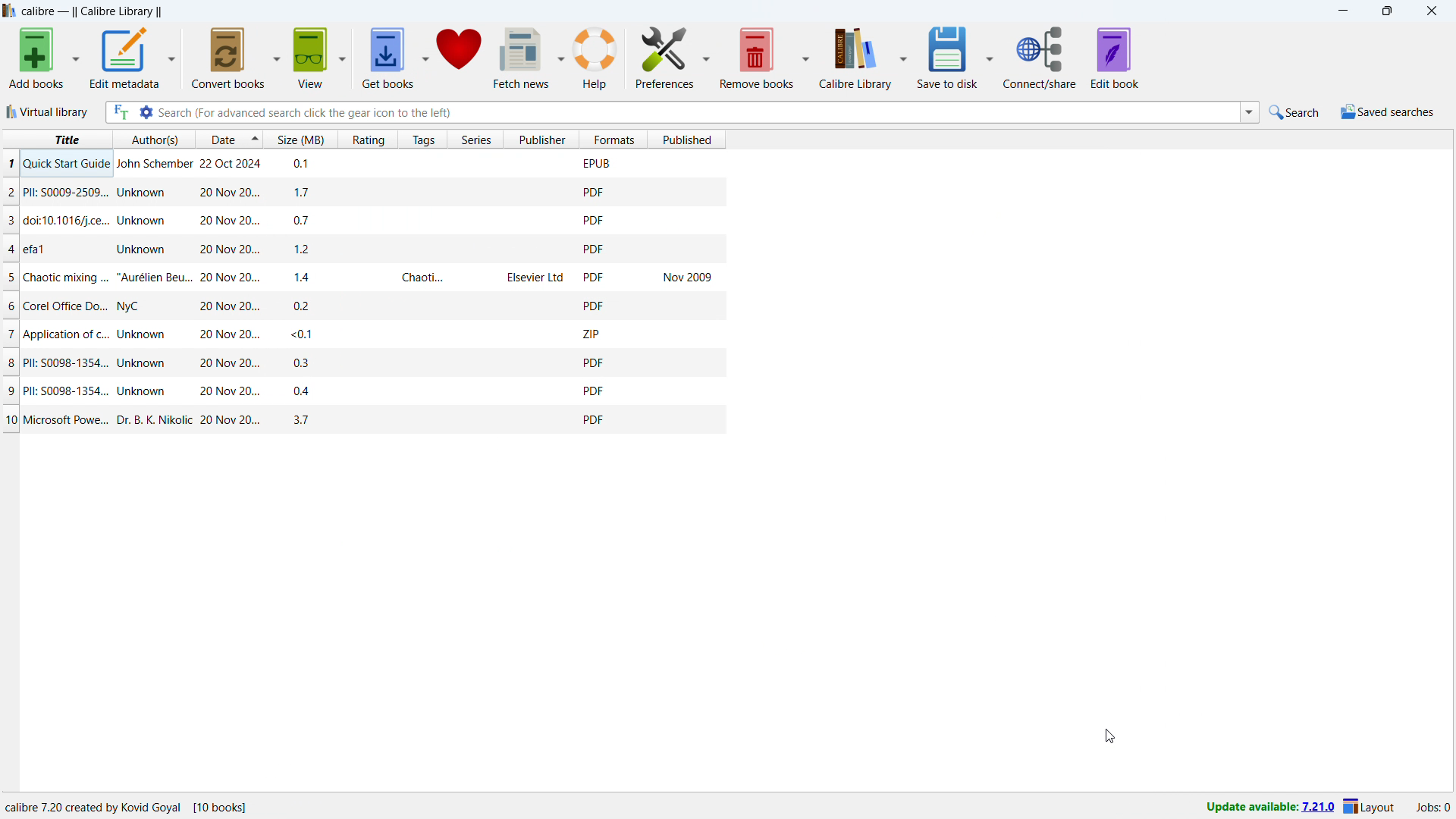 The width and height of the screenshot is (1456, 819). Describe the element at coordinates (707, 56) in the screenshot. I see `preferences options` at that location.